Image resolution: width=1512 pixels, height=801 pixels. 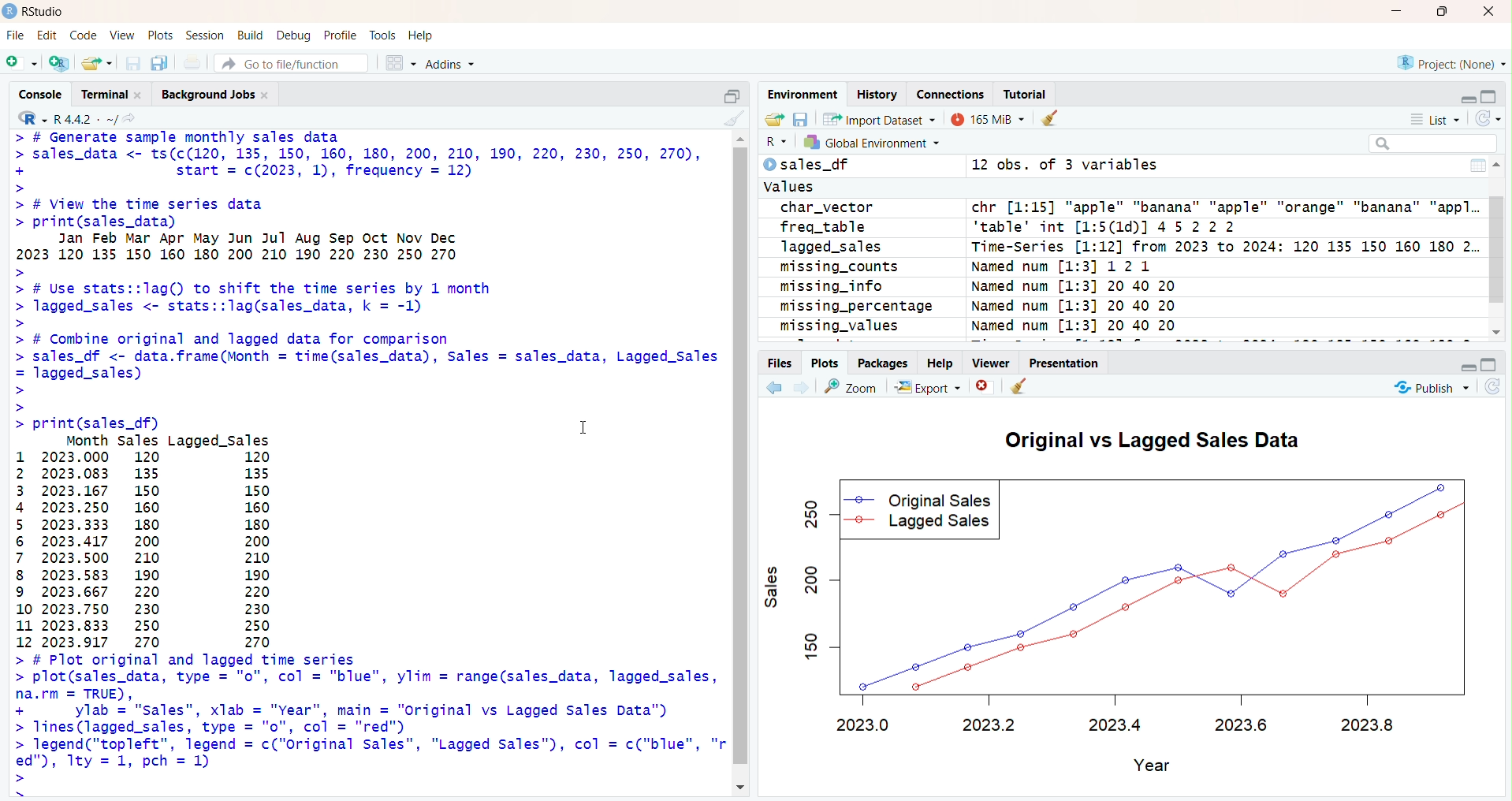 I want to click on files, so click(x=779, y=364).